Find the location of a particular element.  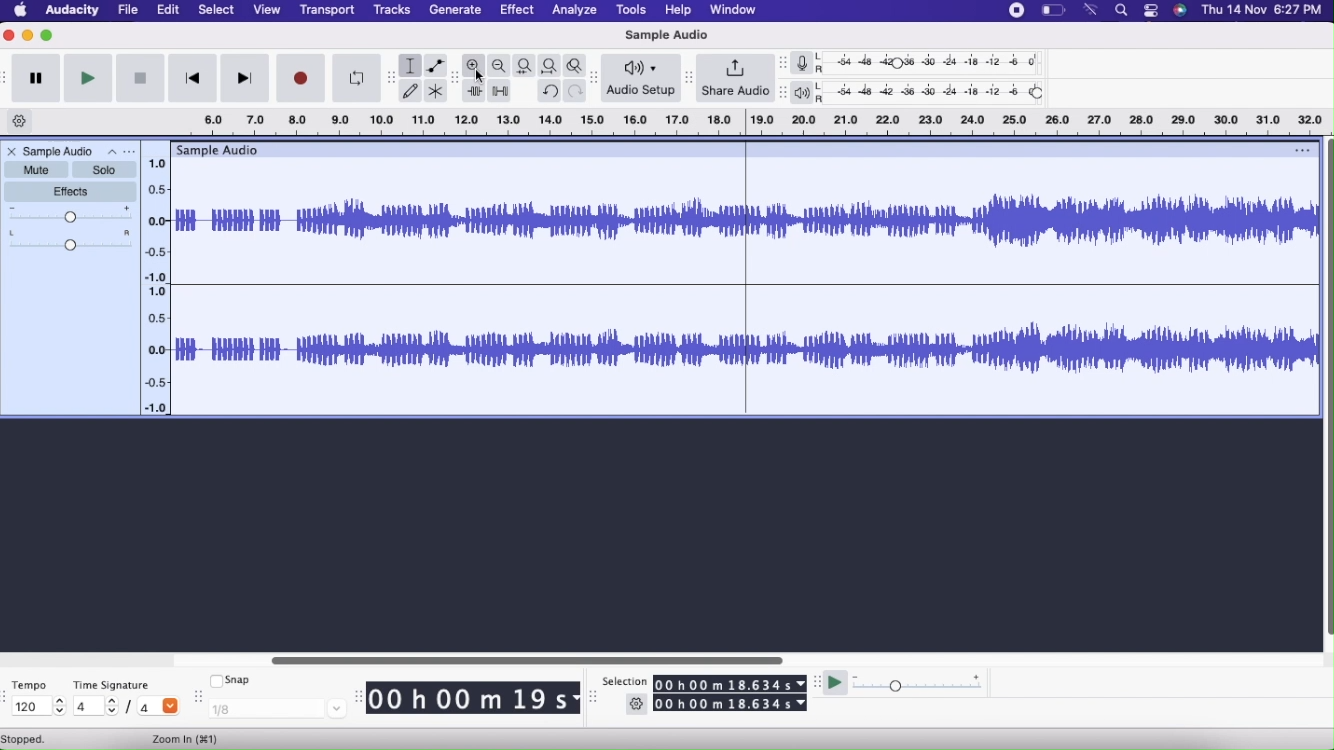

options is located at coordinates (1291, 149).